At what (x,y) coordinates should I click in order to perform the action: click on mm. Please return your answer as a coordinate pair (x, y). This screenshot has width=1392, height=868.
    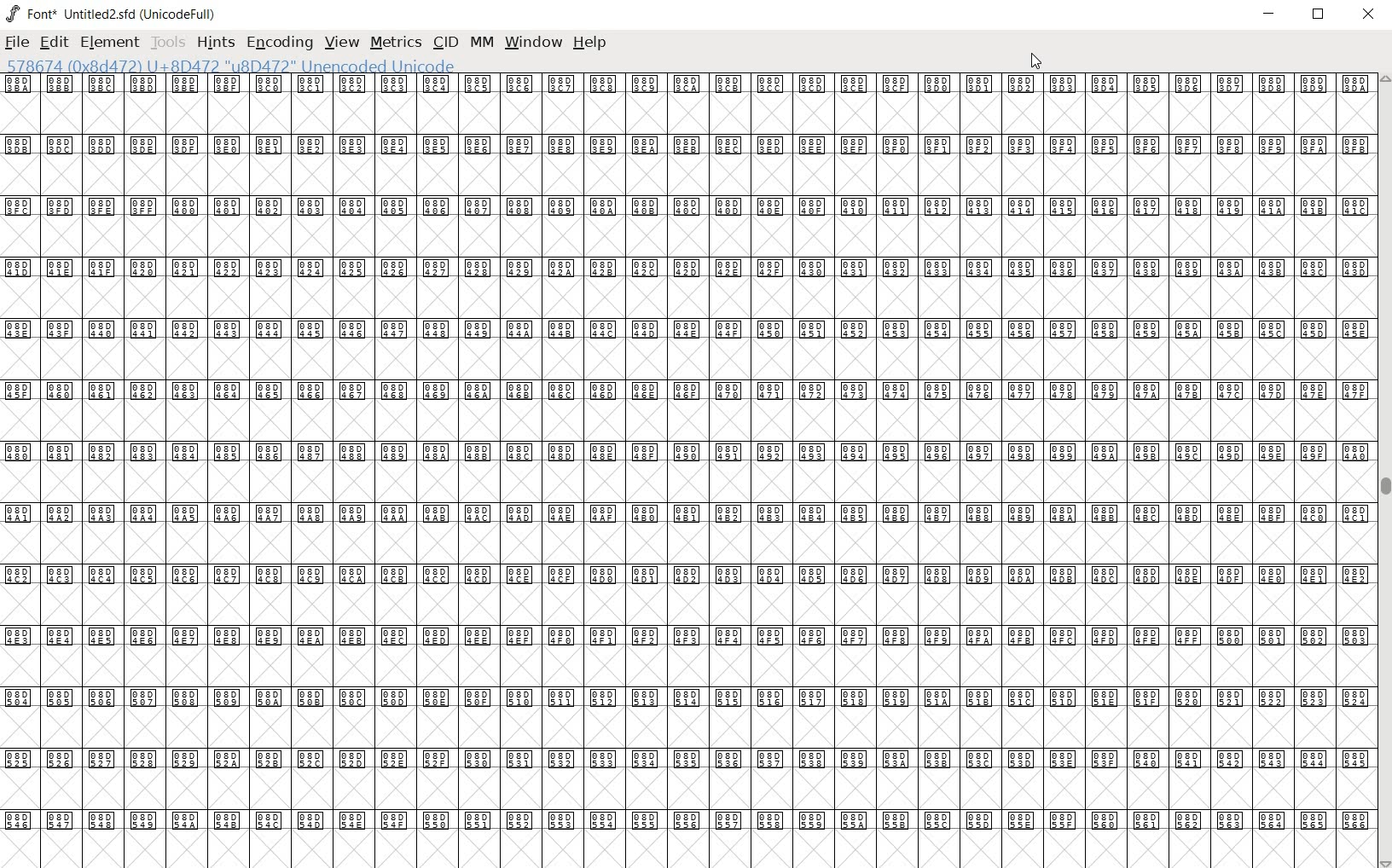
    Looking at the image, I should click on (479, 42).